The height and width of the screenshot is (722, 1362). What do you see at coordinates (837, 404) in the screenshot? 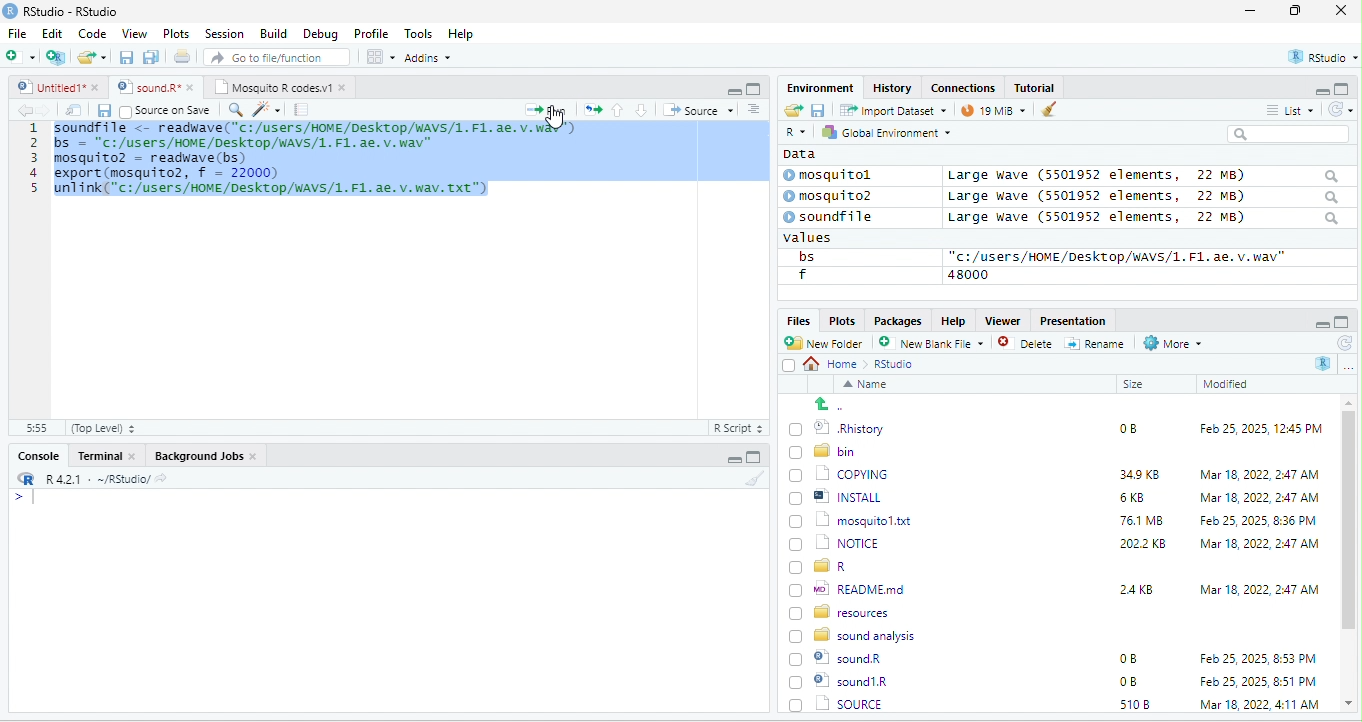
I see `go back` at bounding box center [837, 404].